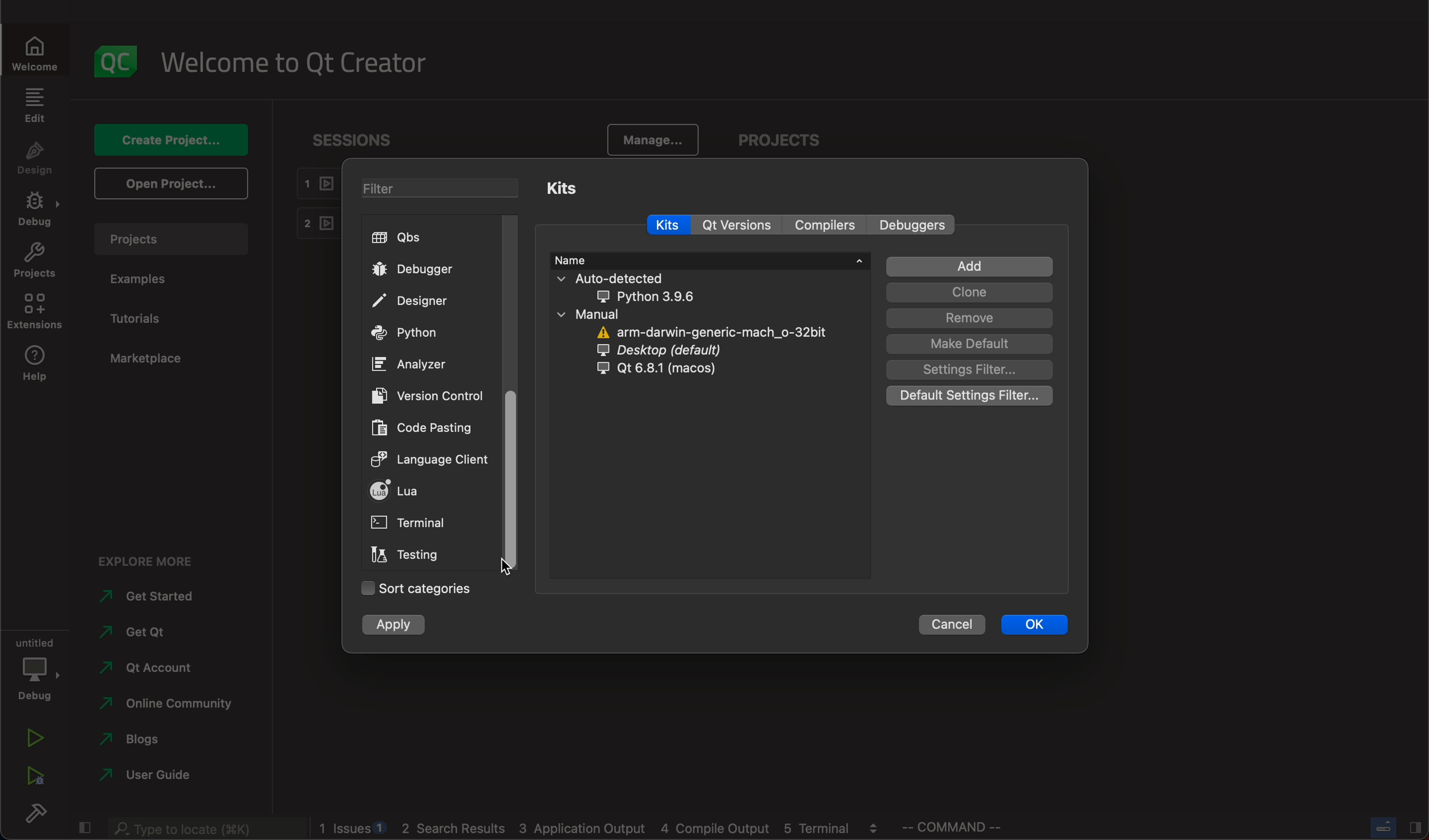 This screenshot has height=840, width=1429. What do you see at coordinates (83, 829) in the screenshot?
I see `close slide bar` at bounding box center [83, 829].